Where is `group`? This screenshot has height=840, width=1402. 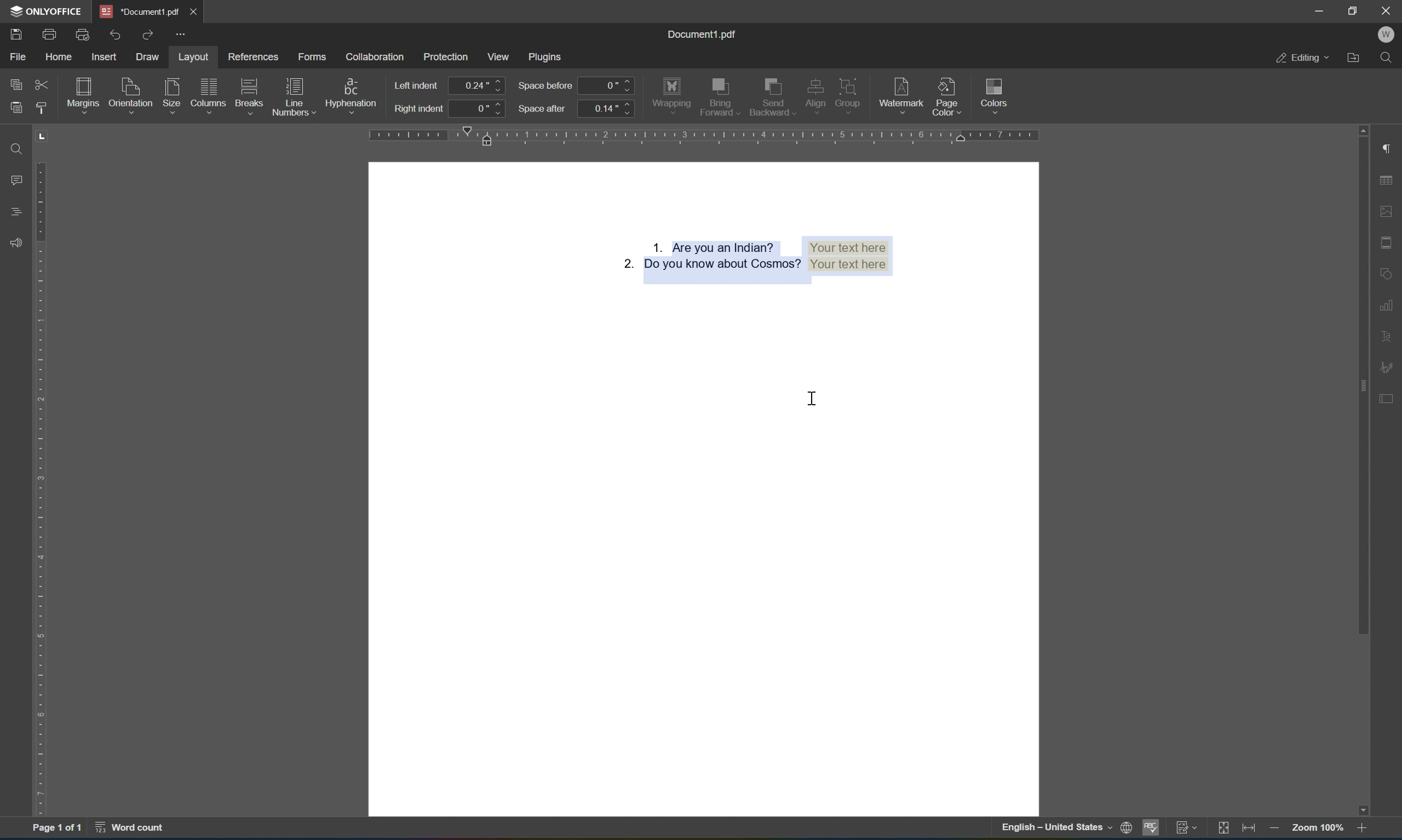 group is located at coordinates (853, 92).